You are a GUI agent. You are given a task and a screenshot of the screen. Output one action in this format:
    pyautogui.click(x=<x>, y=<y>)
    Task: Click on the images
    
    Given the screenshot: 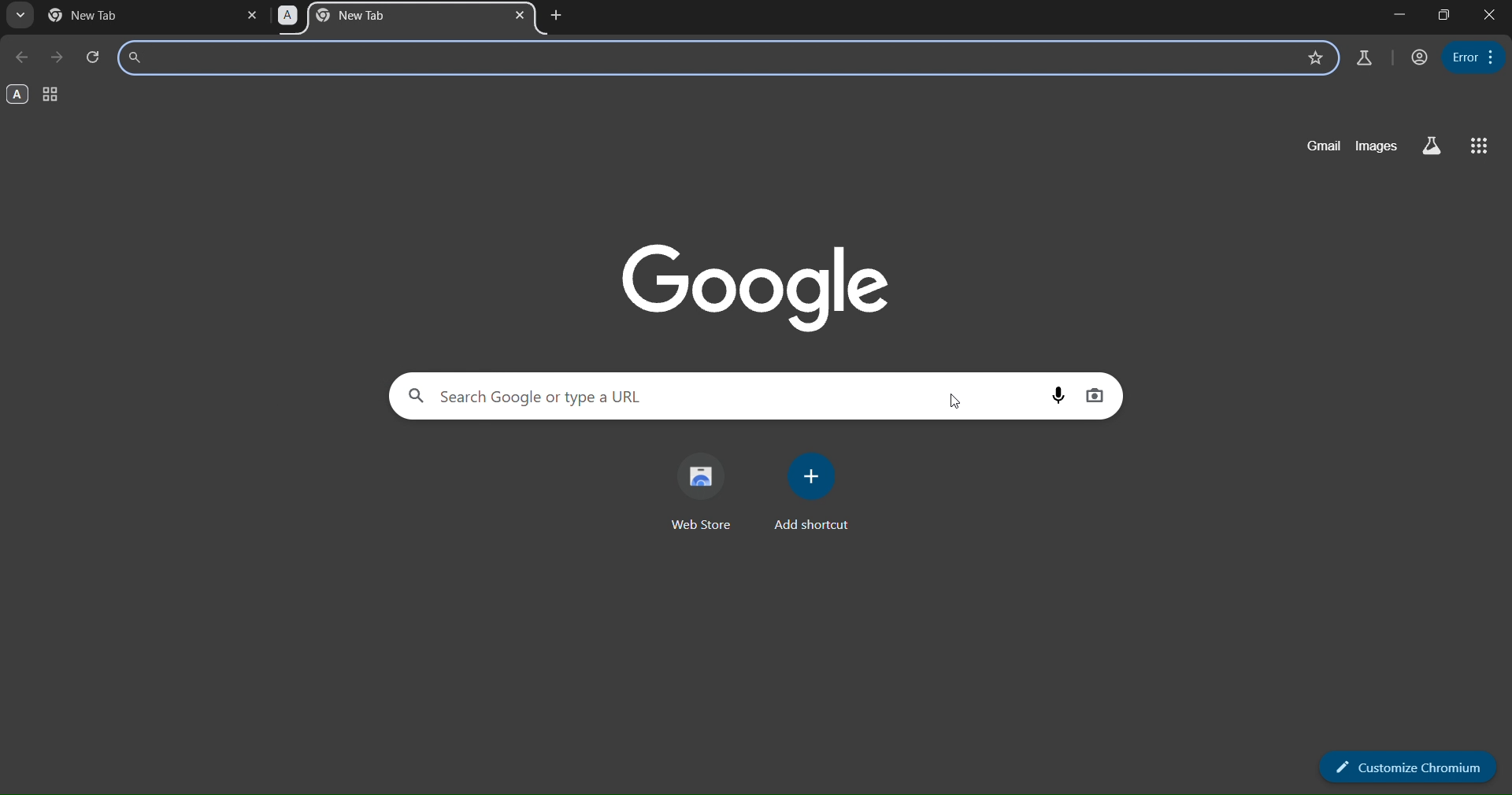 What is the action you would take?
    pyautogui.click(x=1374, y=146)
    